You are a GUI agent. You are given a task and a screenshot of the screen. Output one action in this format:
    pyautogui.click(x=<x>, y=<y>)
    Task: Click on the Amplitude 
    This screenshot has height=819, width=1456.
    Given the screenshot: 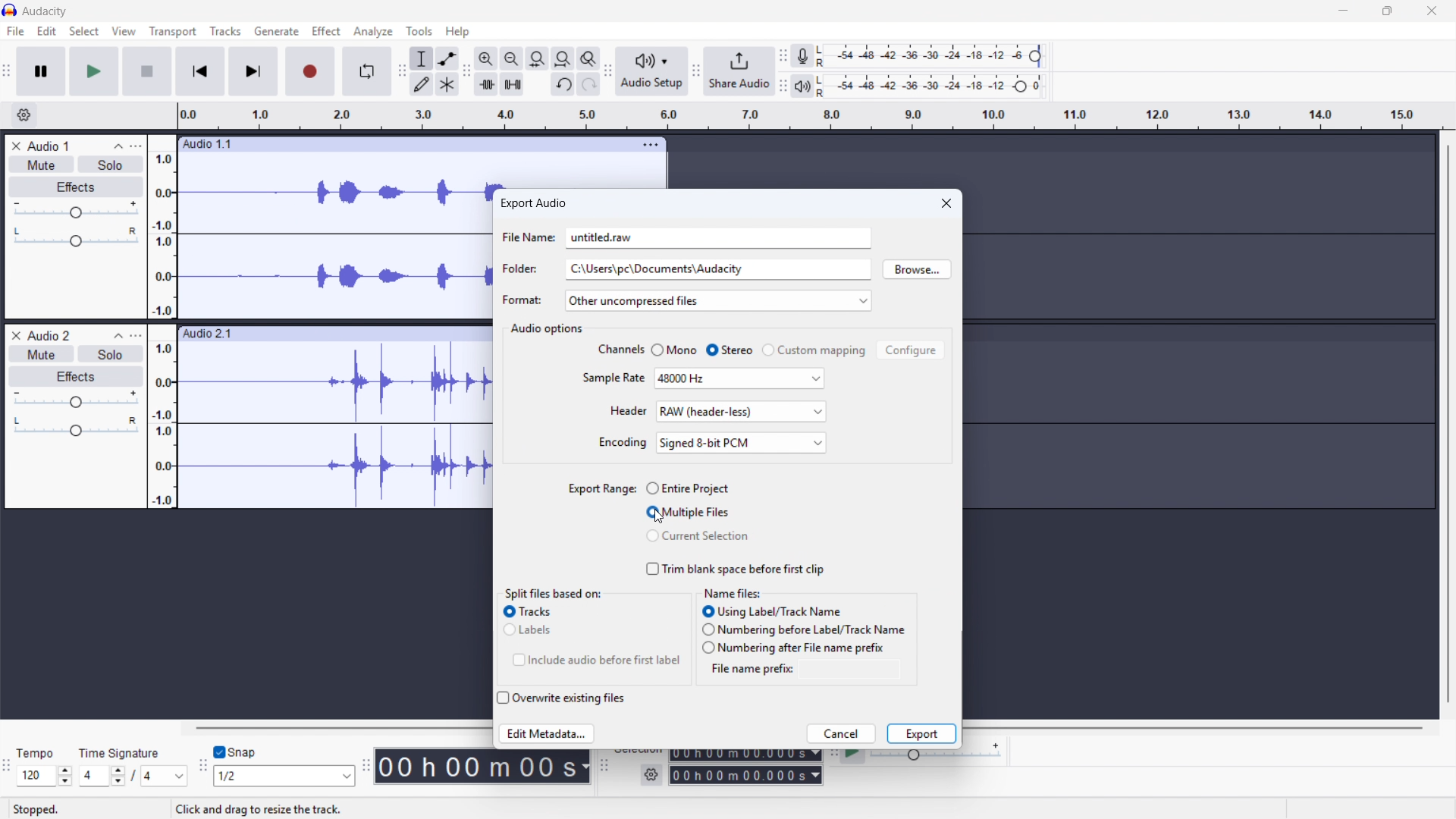 What is the action you would take?
    pyautogui.click(x=162, y=322)
    